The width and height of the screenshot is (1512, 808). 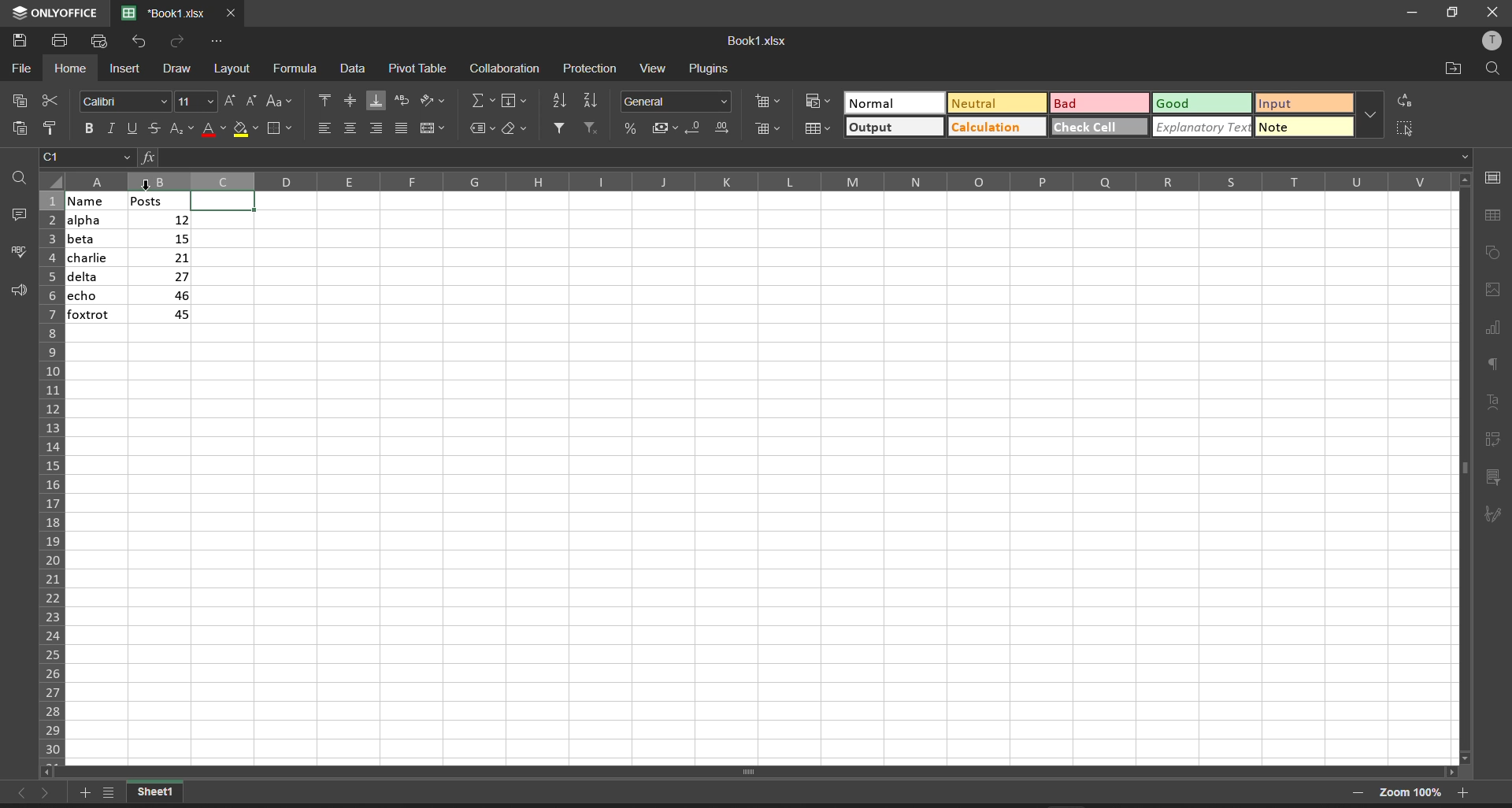 What do you see at coordinates (437, 99) in the screenshot?
I see `orientation` at bounding box center [437, 99].